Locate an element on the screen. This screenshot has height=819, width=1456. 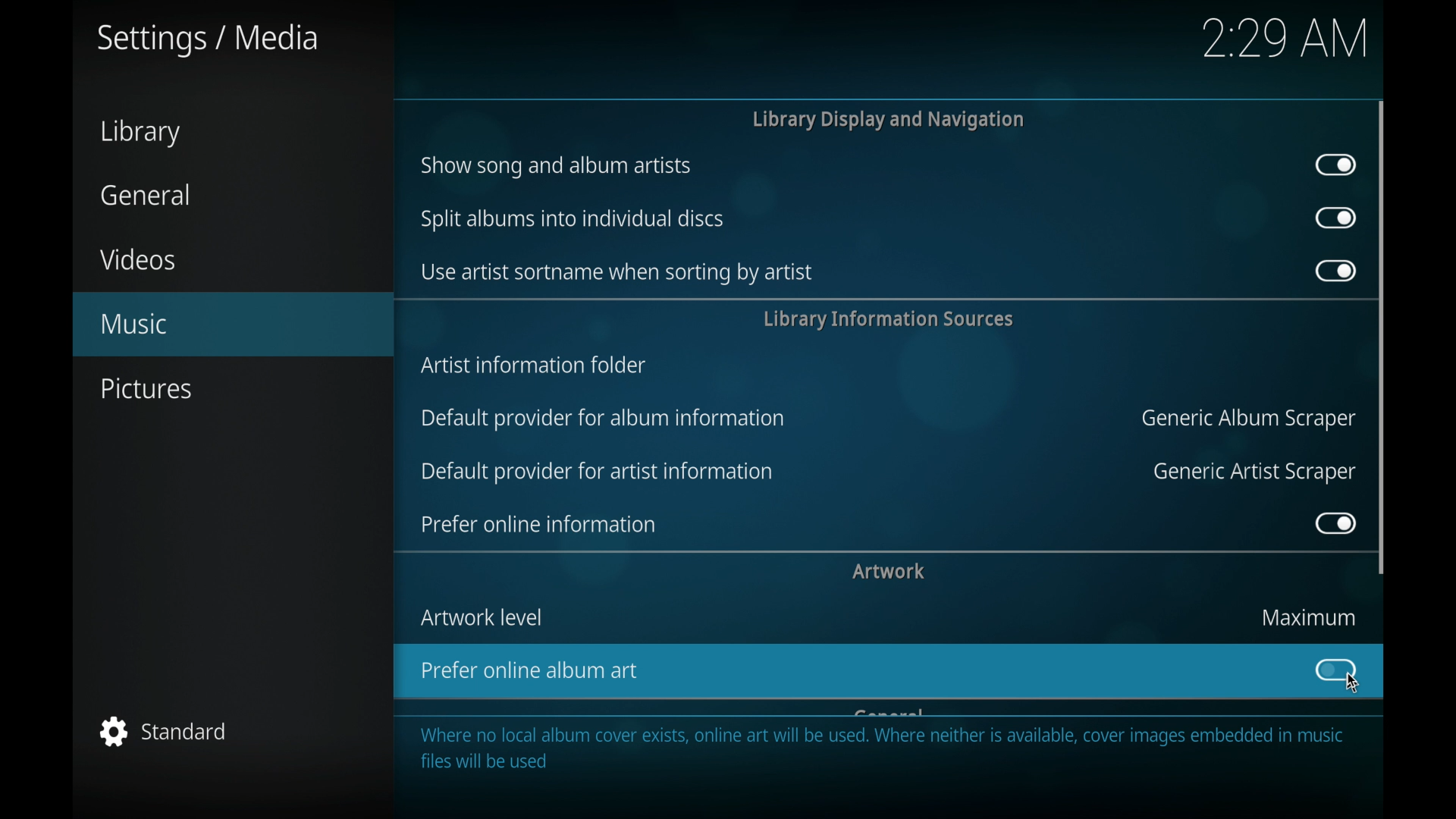
general is located at coordinates (146, 195).